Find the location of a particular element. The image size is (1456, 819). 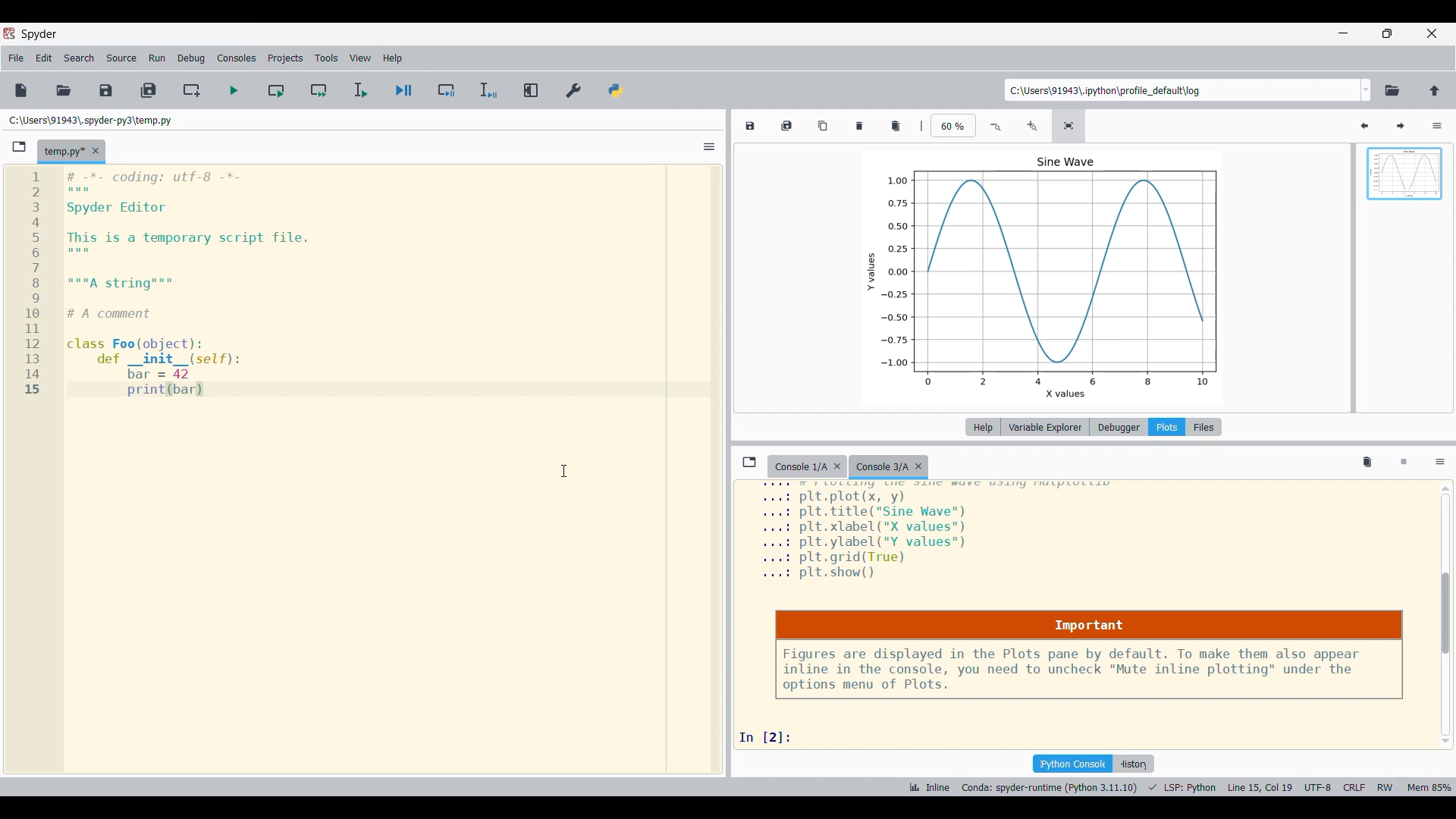

Save file is located at coordinates (106, 91).